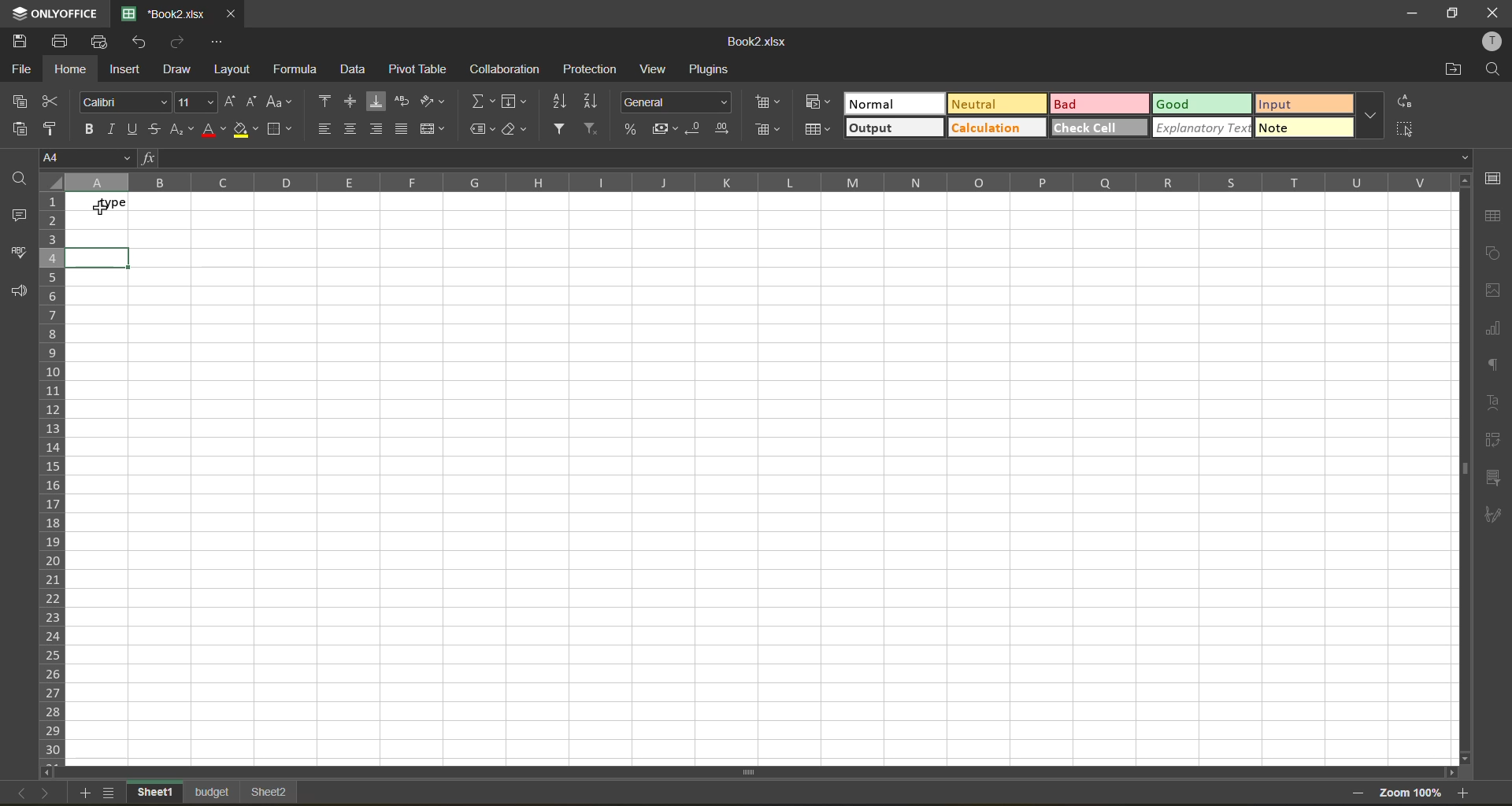  What do you see at coordinates (480, 102) in the screenshot?
I see `summation` at bounding box center [480, 102].